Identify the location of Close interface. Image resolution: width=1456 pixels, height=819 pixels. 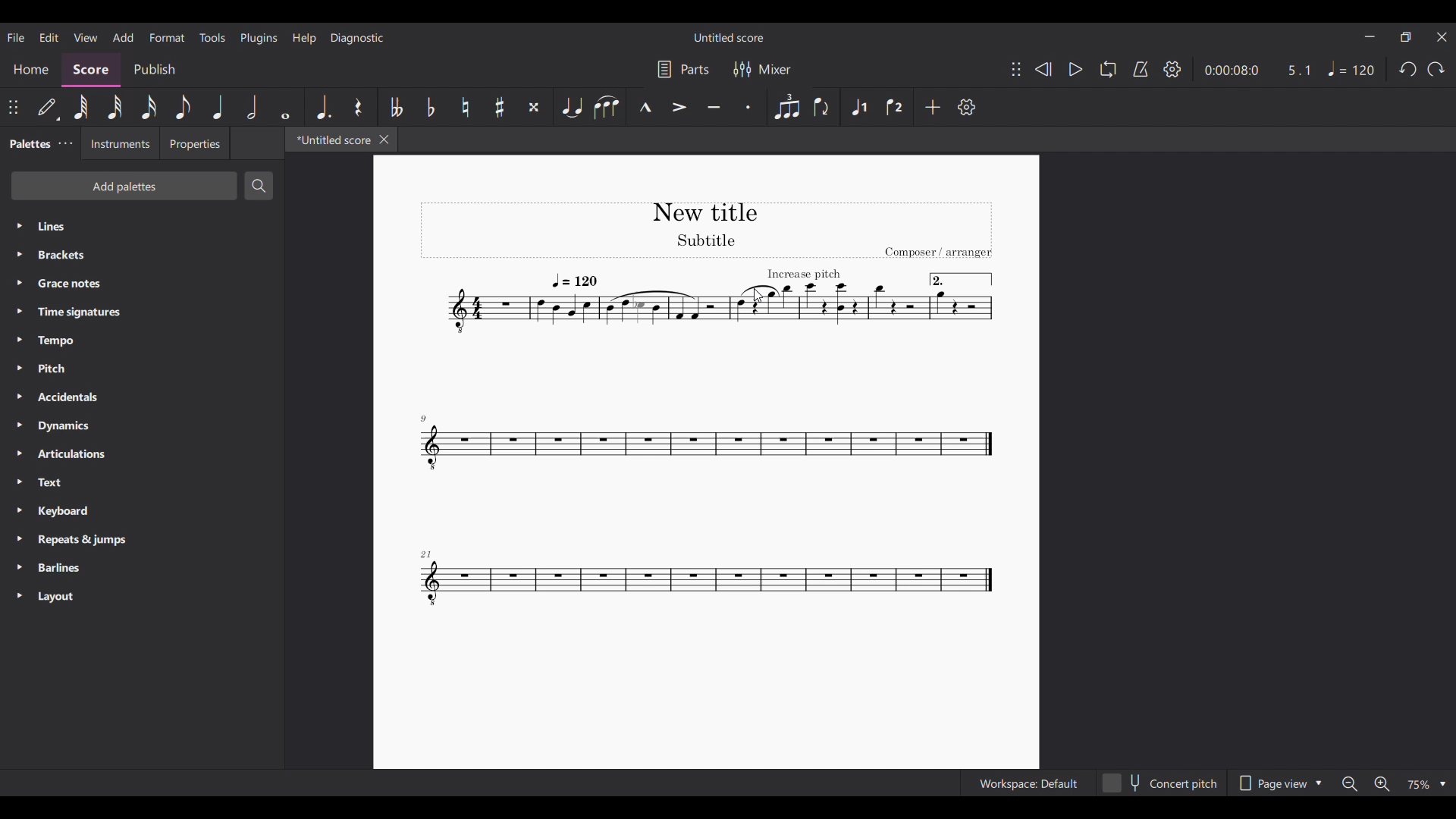
(1442, 37).